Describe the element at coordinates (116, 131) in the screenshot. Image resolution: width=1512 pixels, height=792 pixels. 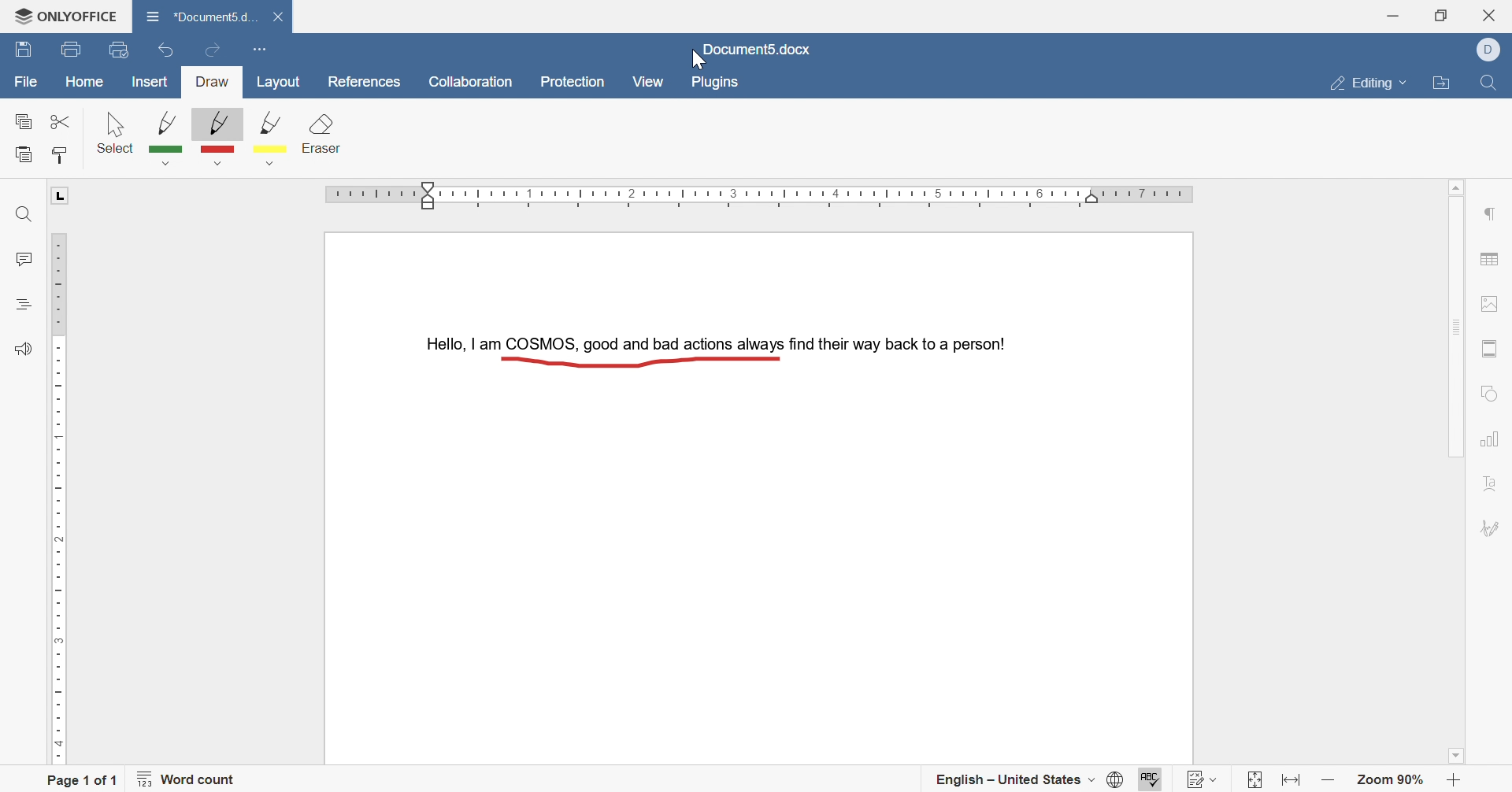
I see `select` at that location.